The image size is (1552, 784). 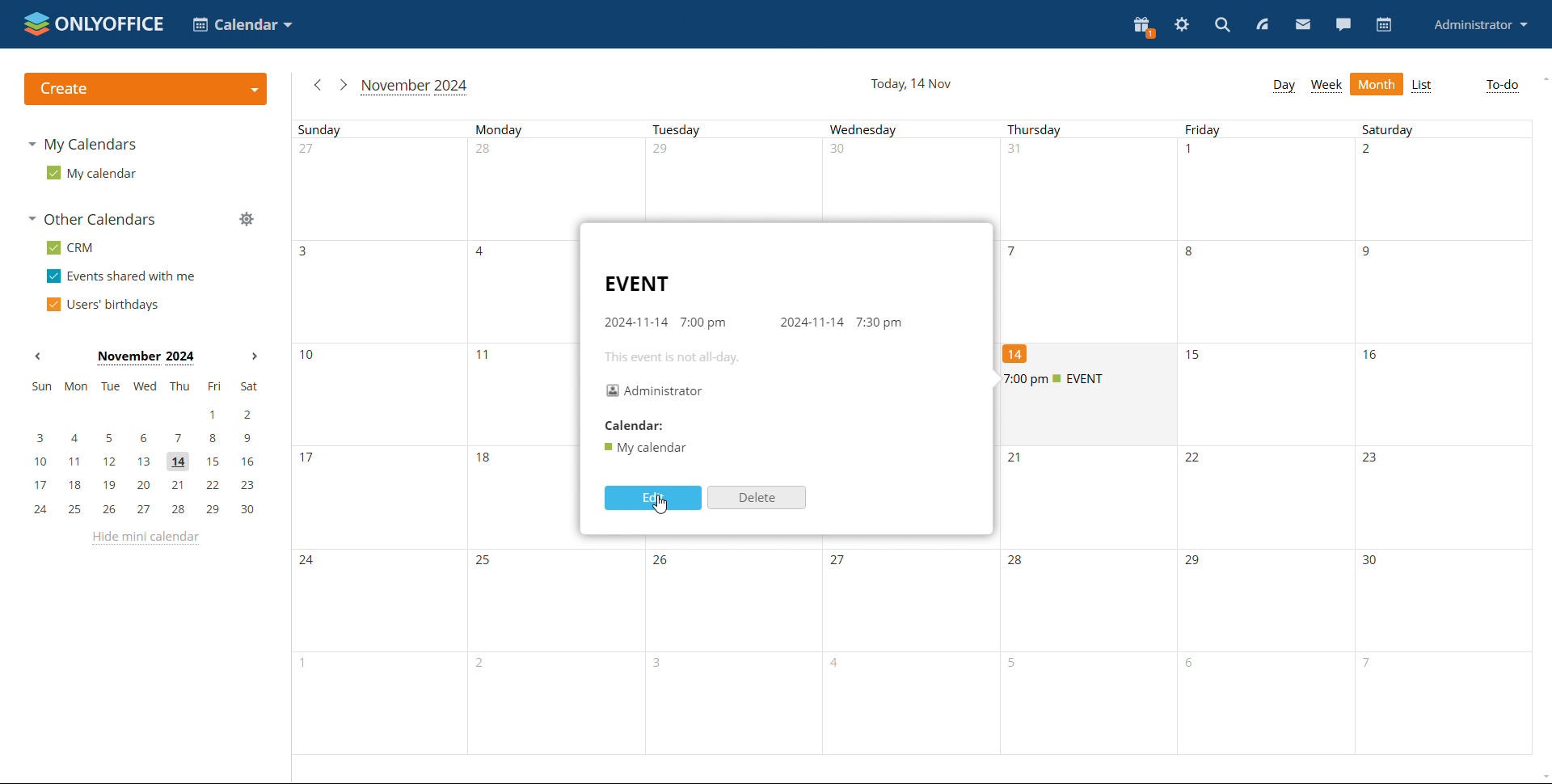 What do you see at coordinates (306, 457) in the screenshot?
I see `number` at bounding box center [306, 457].